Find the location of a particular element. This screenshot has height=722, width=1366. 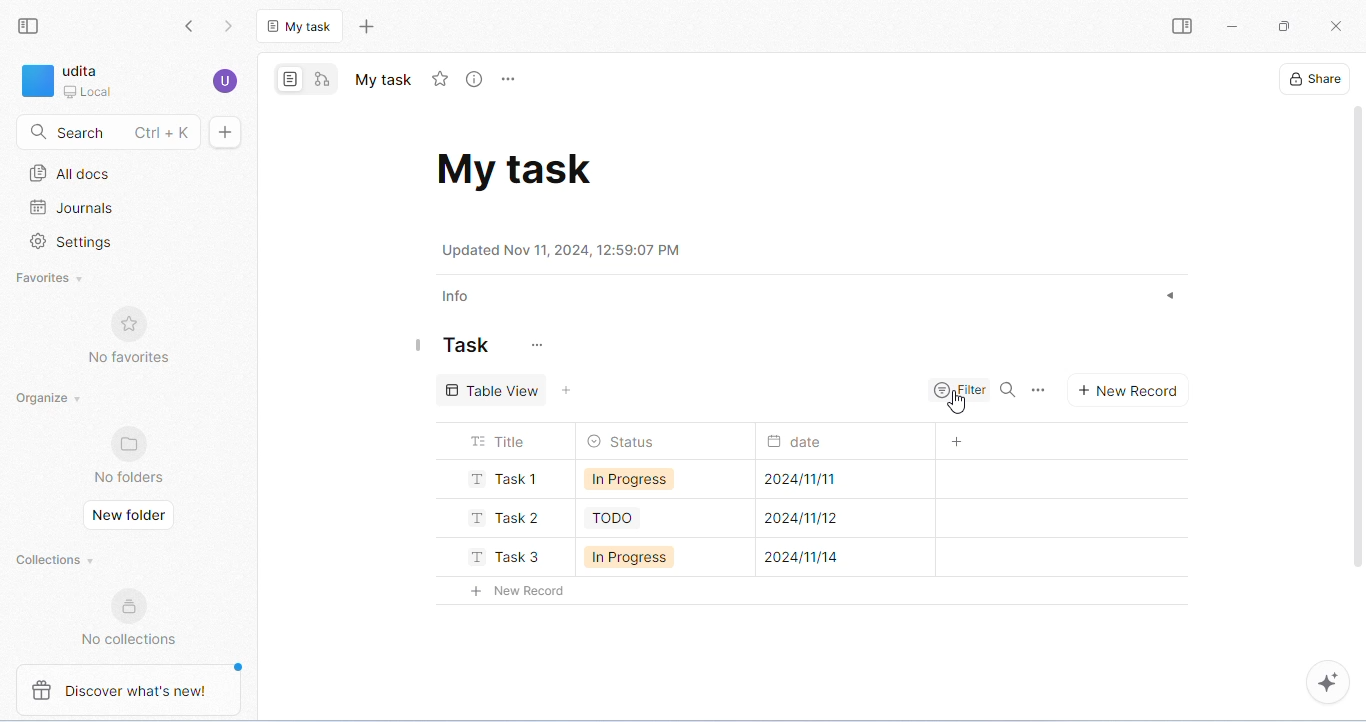

rename and more is located at coordinates (511, 80).